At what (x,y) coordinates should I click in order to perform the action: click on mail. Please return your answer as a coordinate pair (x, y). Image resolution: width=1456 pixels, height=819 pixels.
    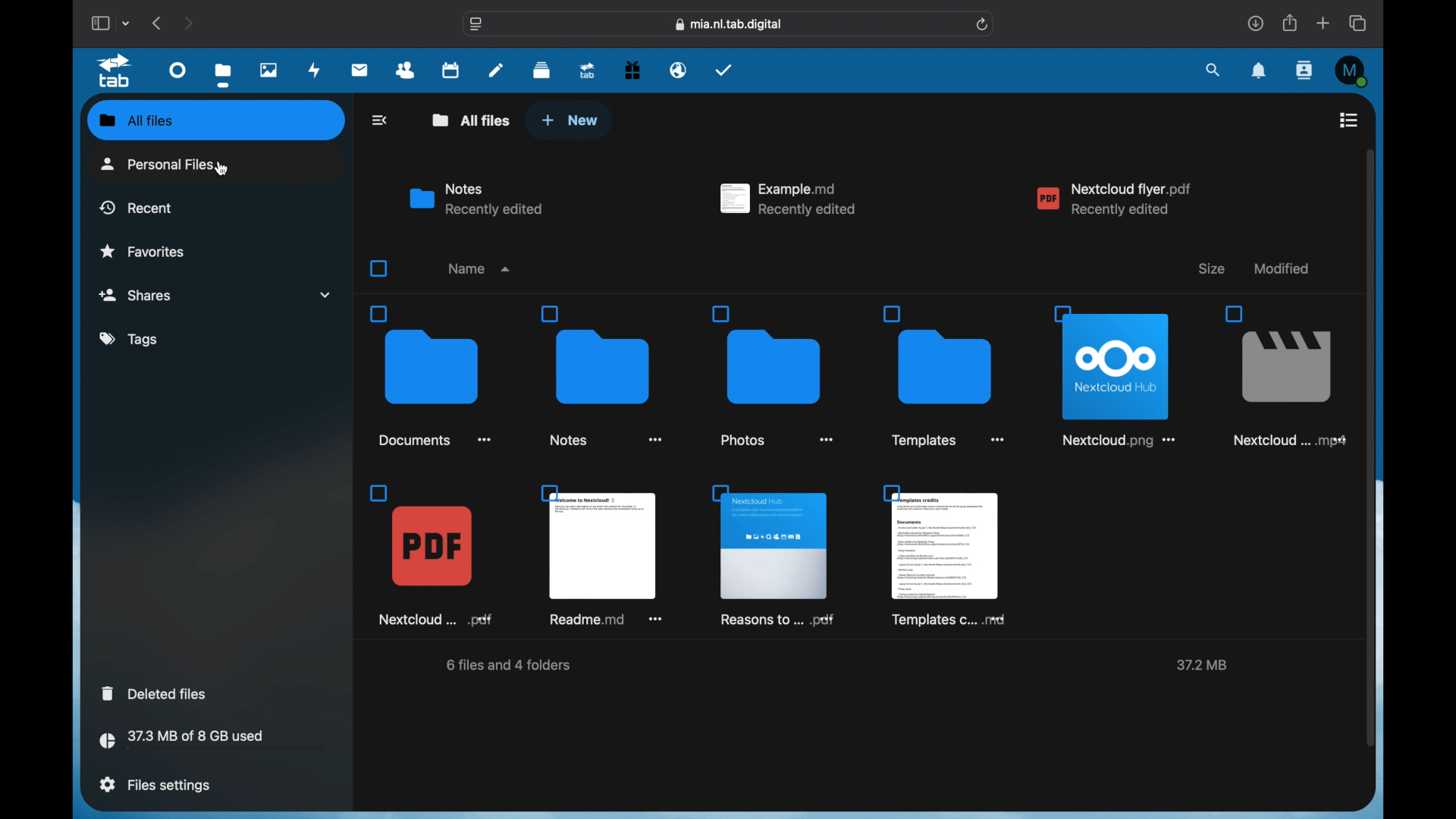
    Looking at the image, I should click on (360, 71).